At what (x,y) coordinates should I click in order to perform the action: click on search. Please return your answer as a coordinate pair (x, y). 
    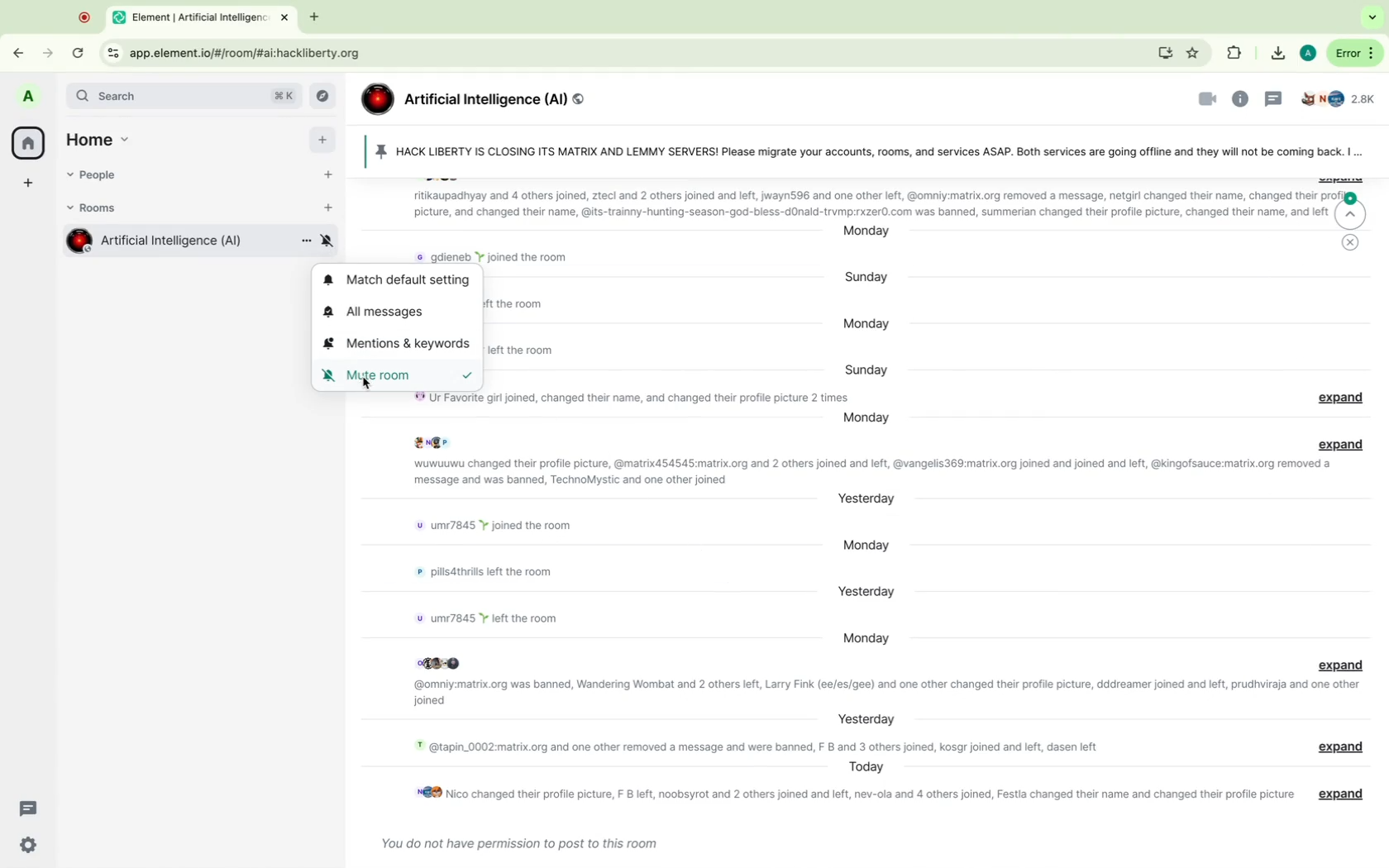
    Looking at the image, I should click on (185, 98).